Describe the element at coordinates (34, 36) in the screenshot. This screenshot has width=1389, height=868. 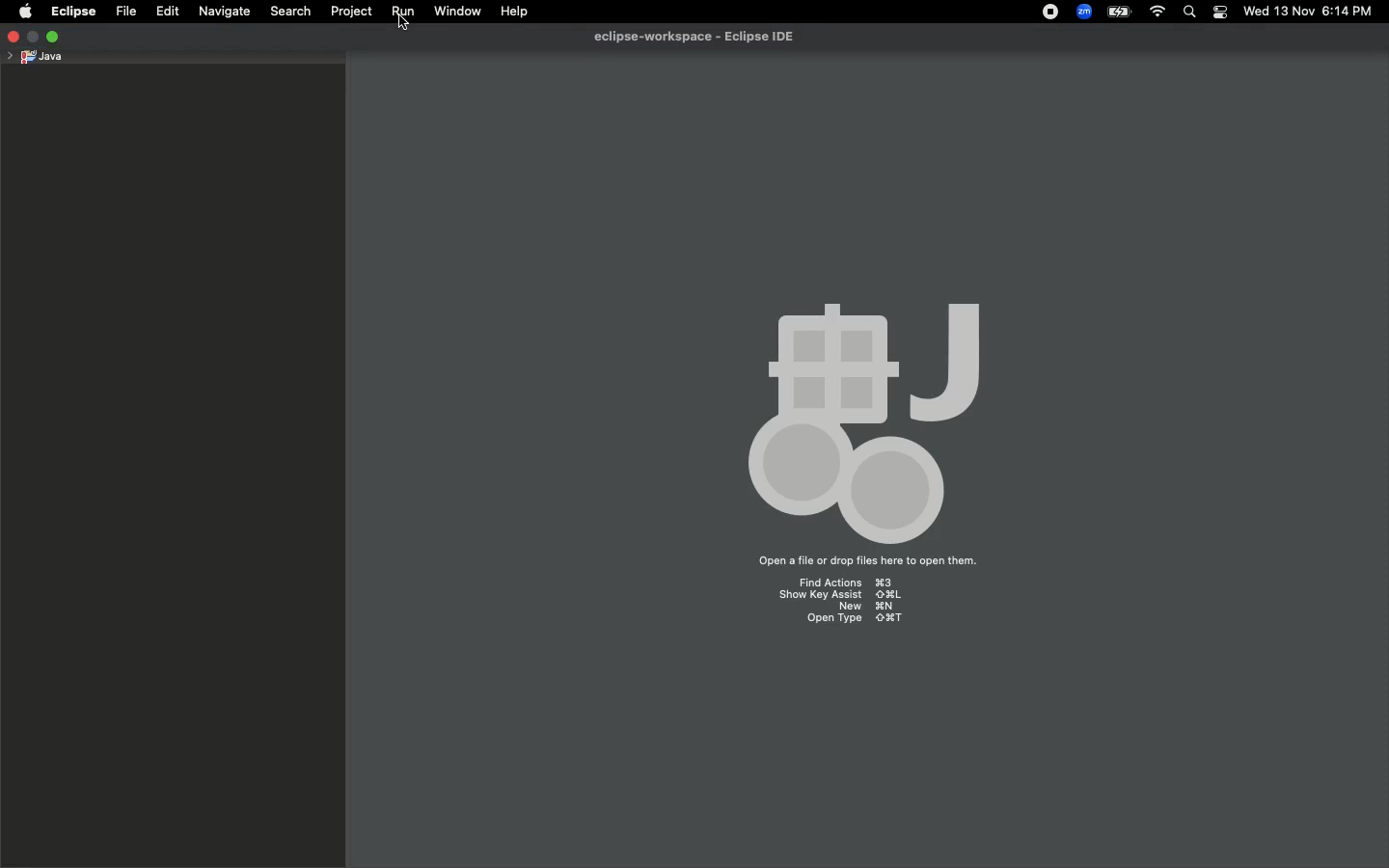
I see `minimize` at that location.